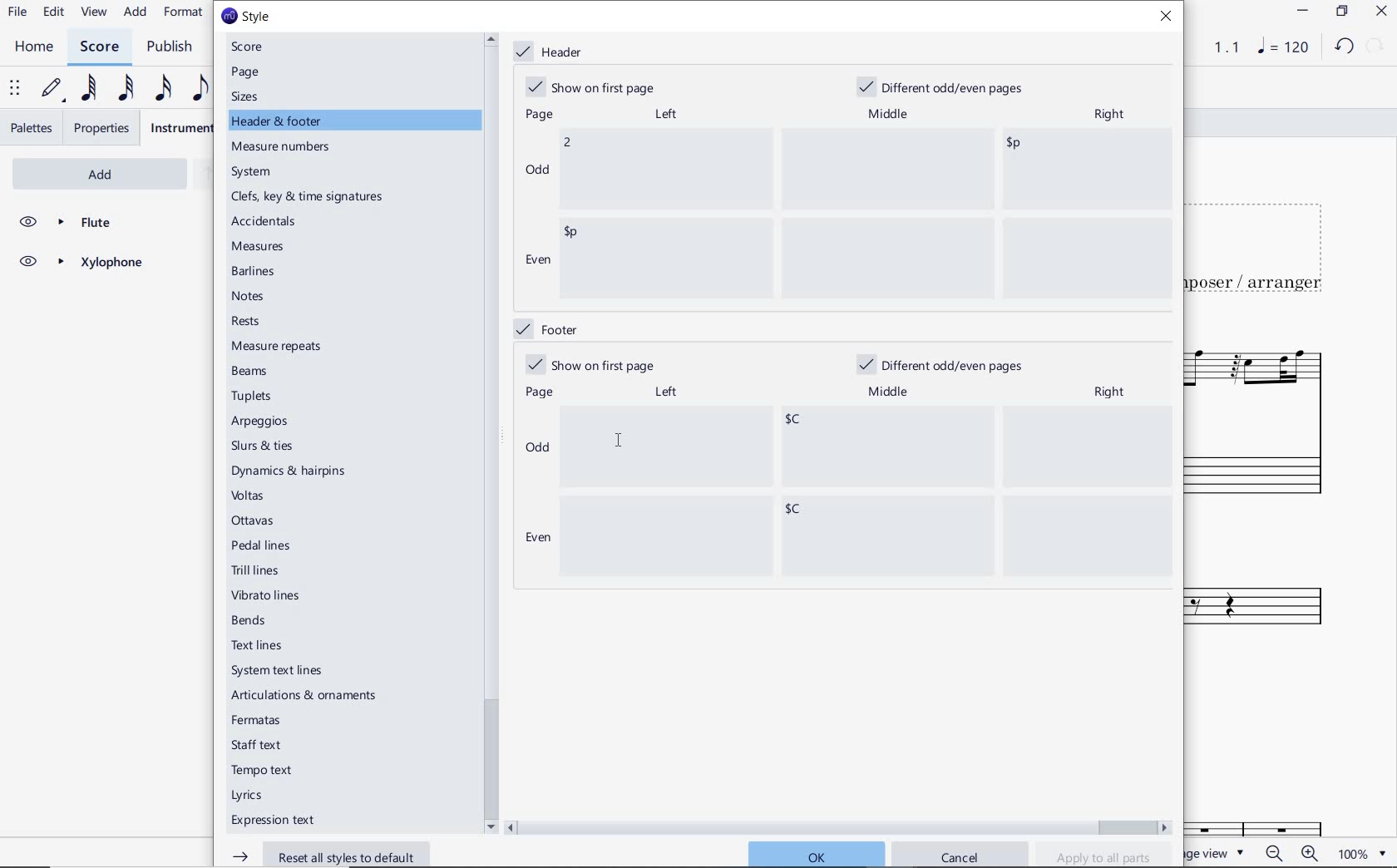  What do you see at coordinates (615, 440) in the screenshot?
I see `cursor` at bounding box center [615, 440].